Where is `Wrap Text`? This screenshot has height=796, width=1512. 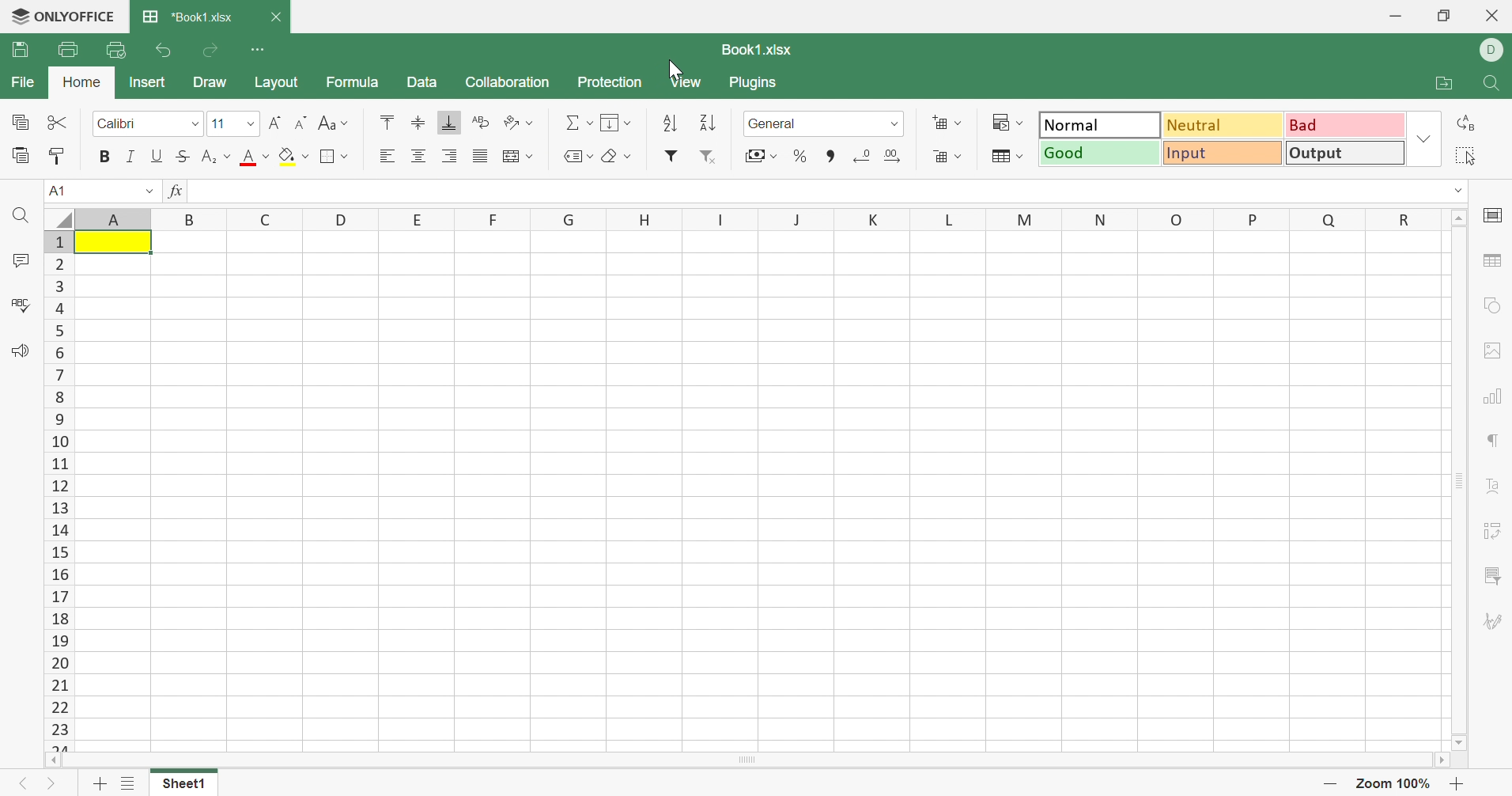
Wrap Text is located at coordinates (482, 120).